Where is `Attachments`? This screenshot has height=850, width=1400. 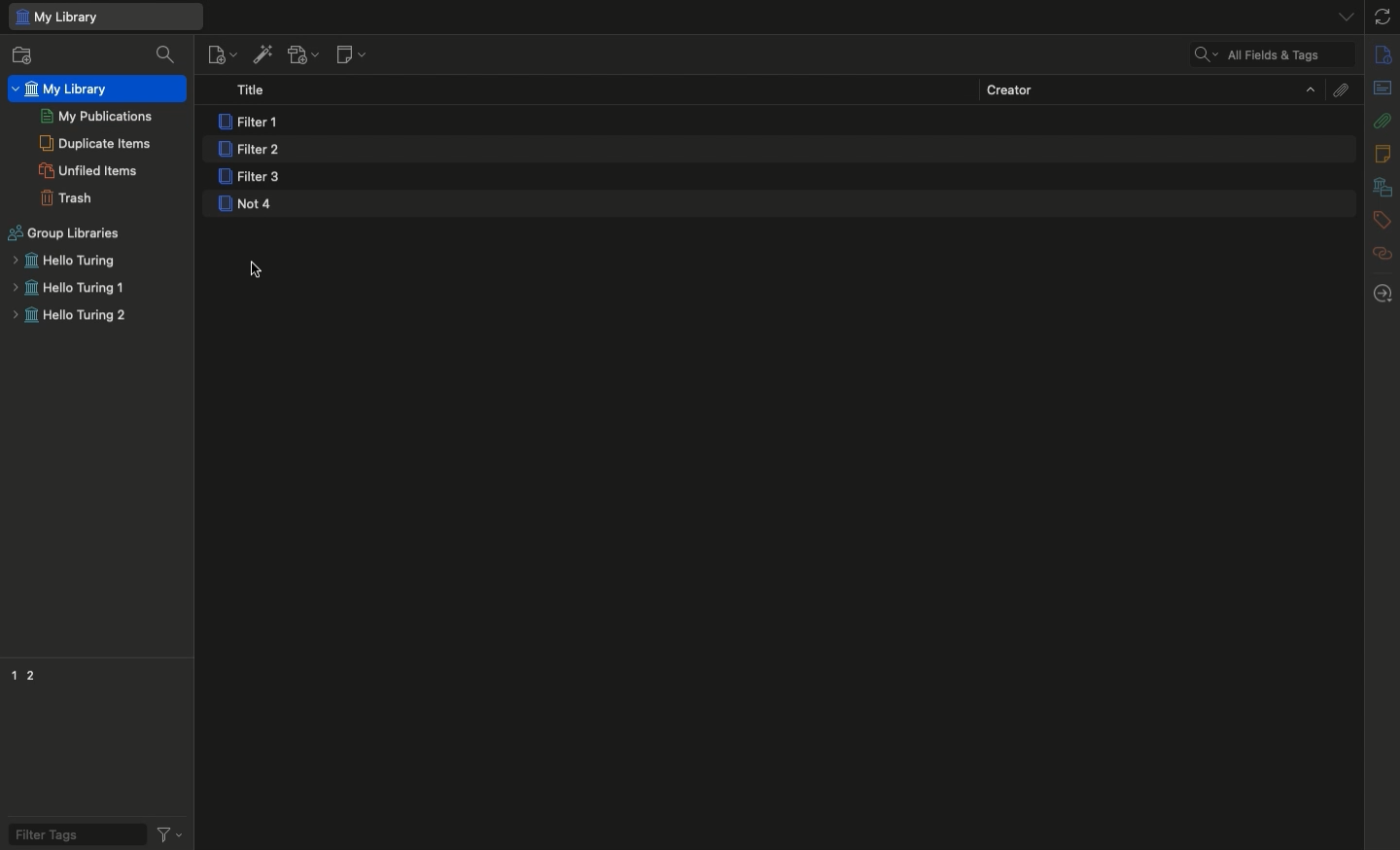
Attachments is located at coordinates (1339, 89).